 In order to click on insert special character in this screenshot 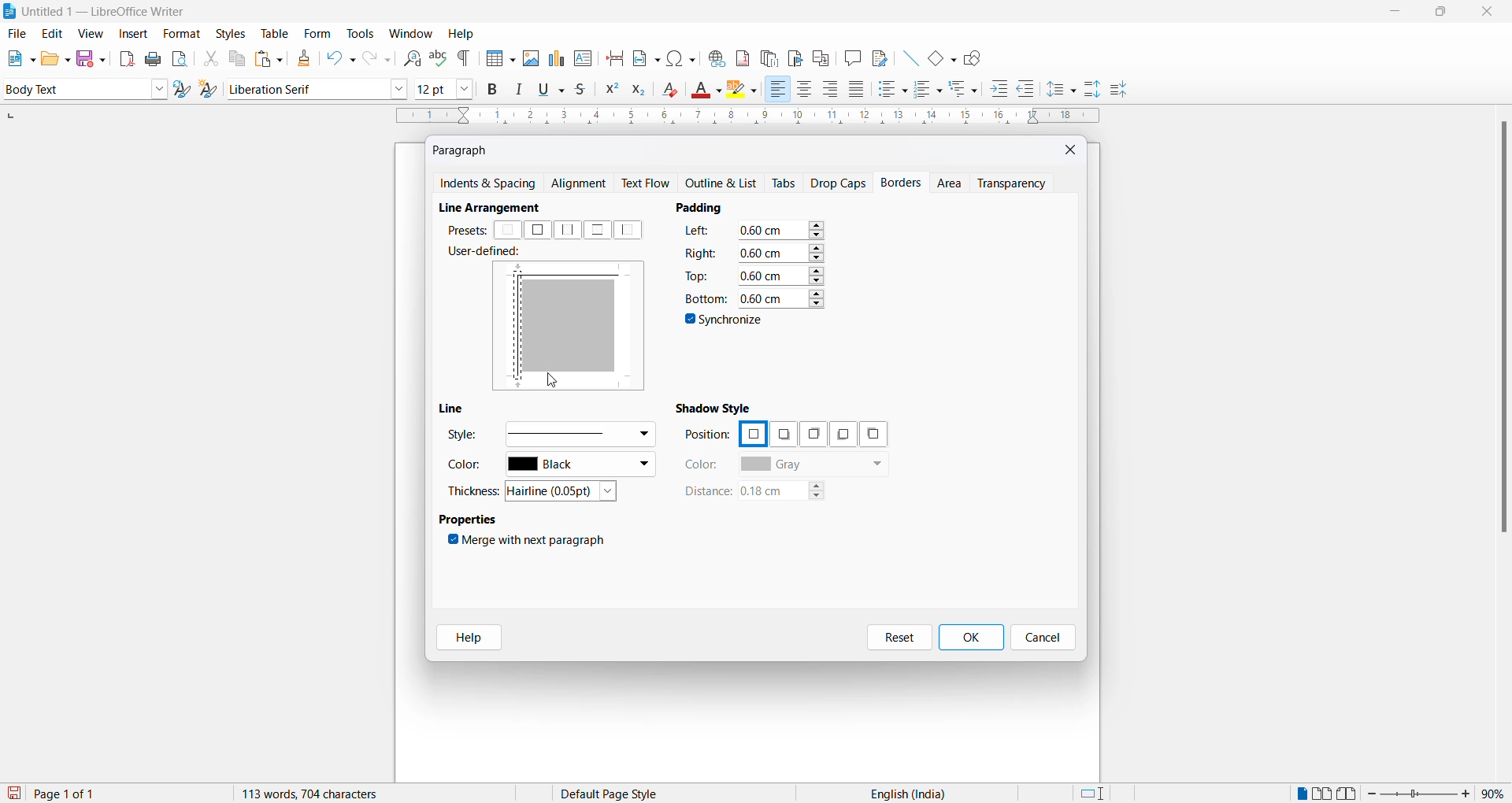, I will do `click(680, 56)`.